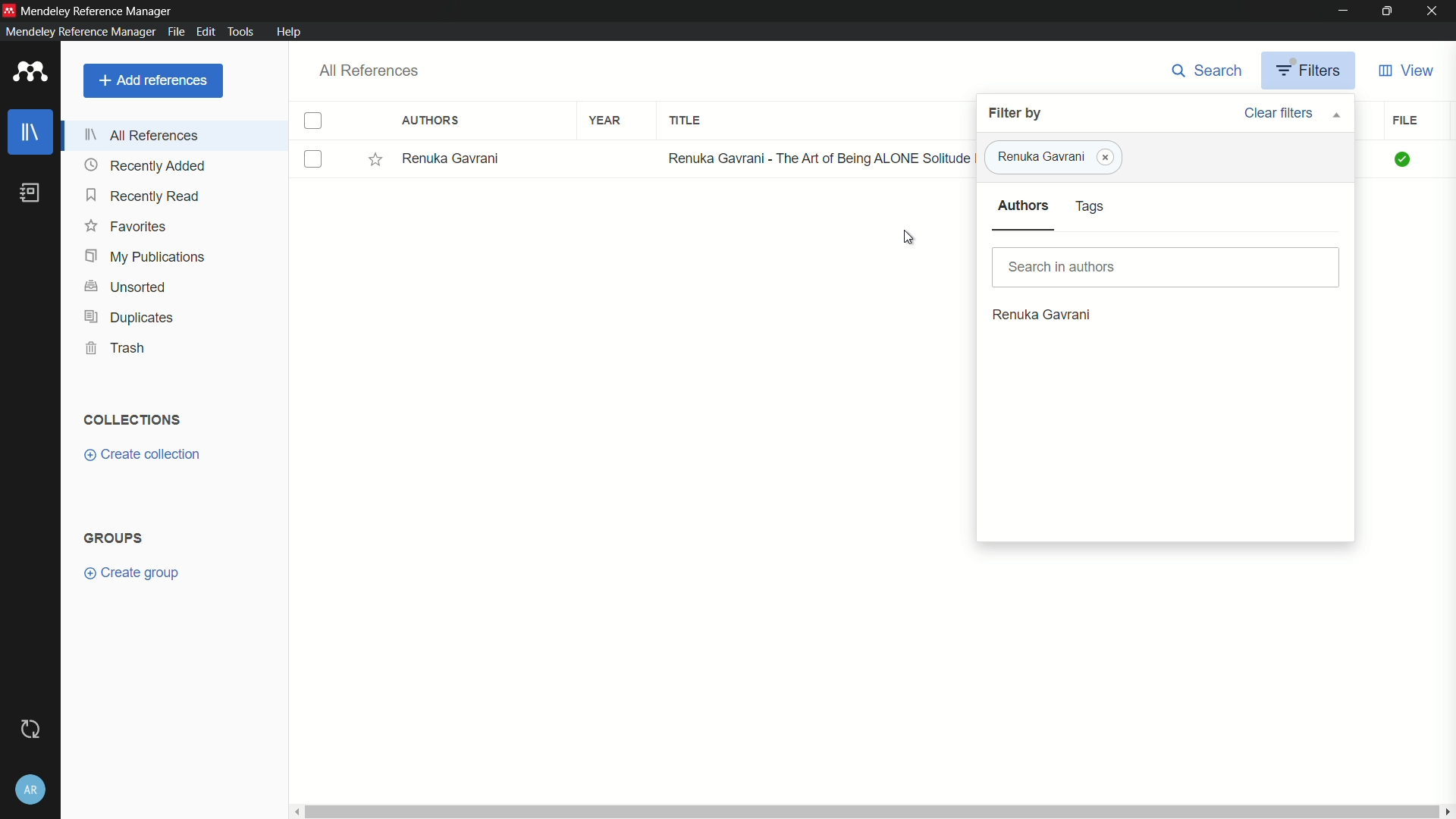 Image resolution: width=1456 pixels, height=819 pixels. I want to click on check box, so click(313, 121).